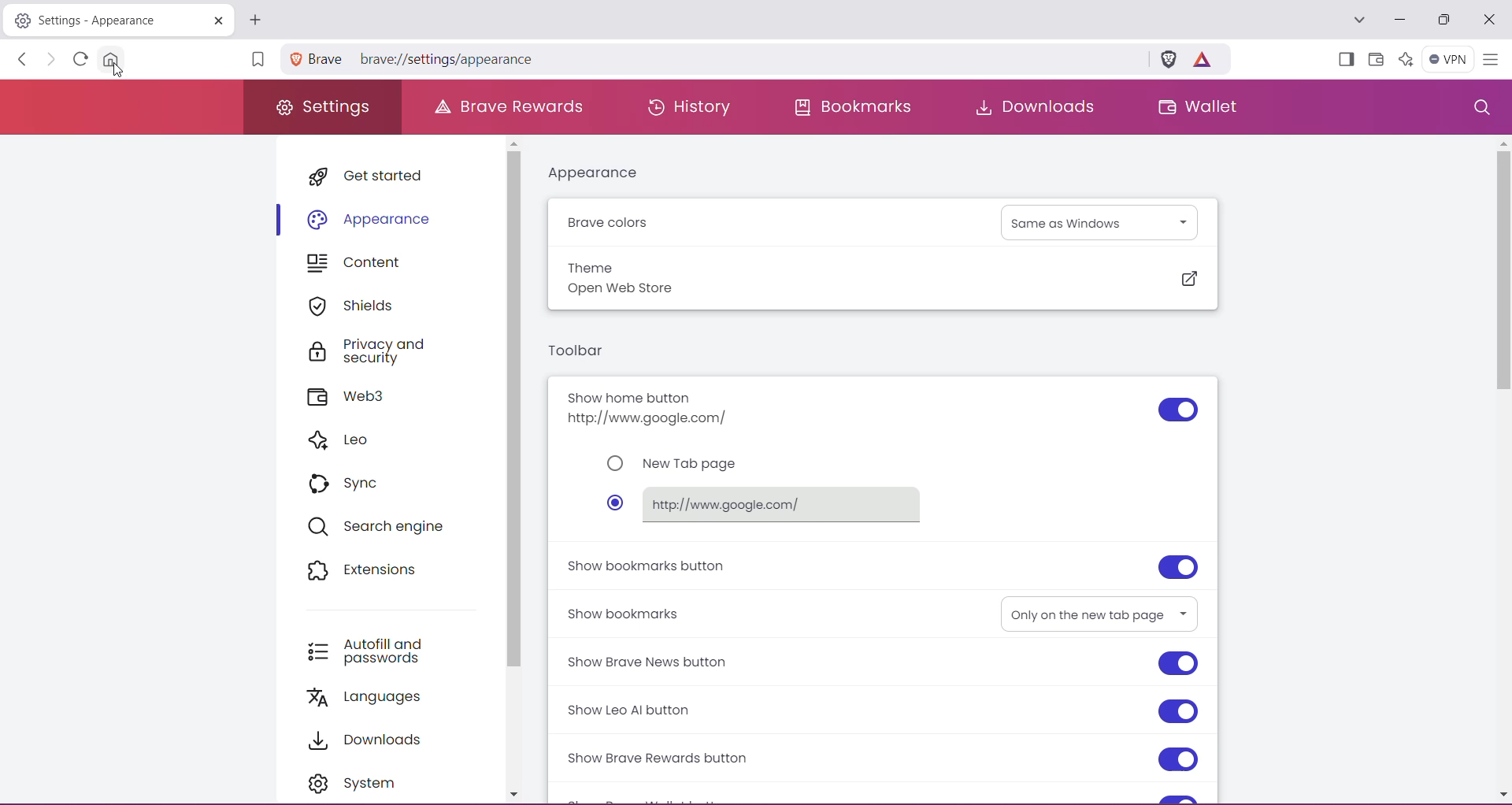 This screenshot has width=1512, height=805. Describe the element at coordinates (1489, 20) in the screenshot. I see `Close` at that location.